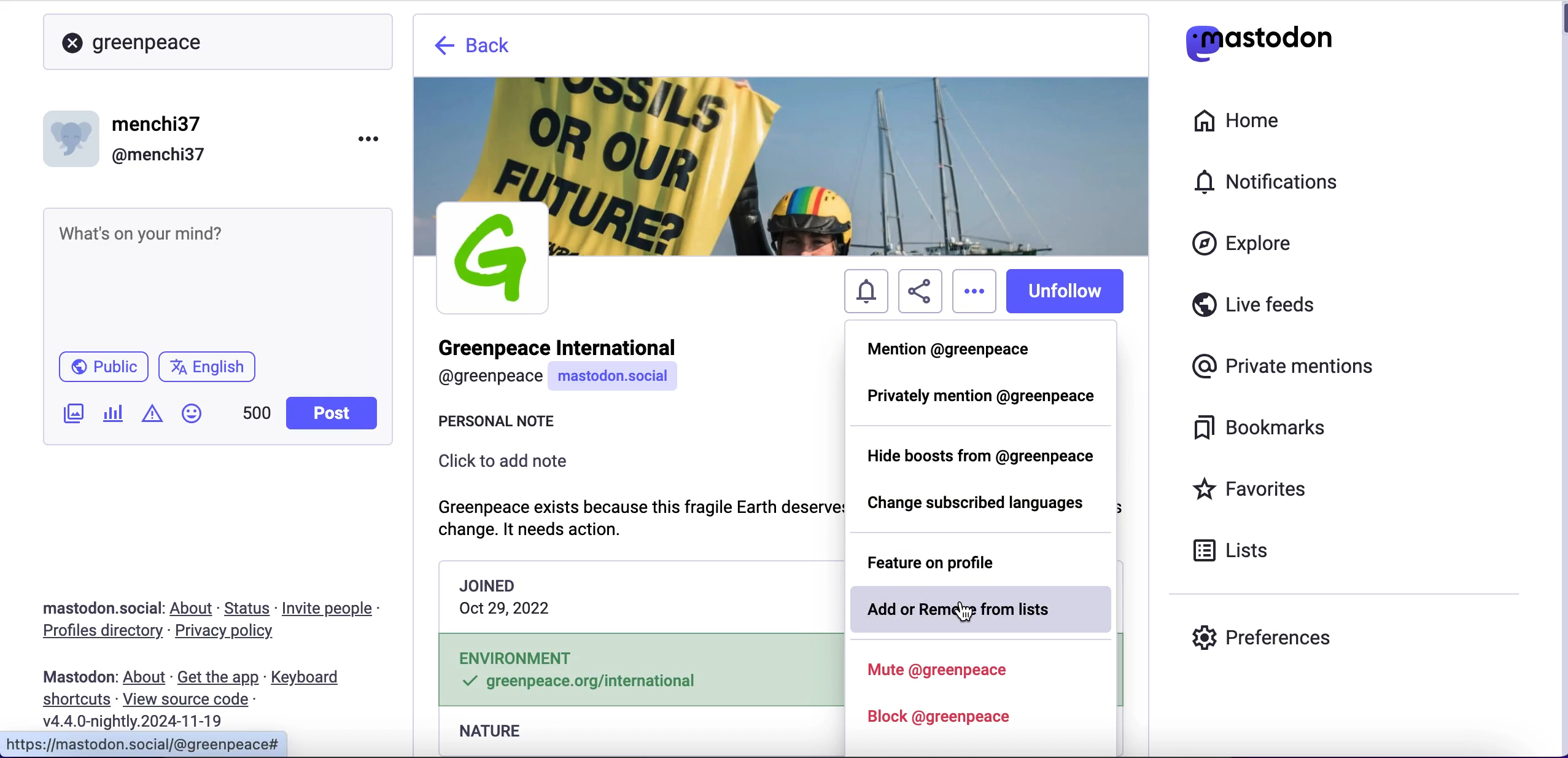 This screenshot has height=758, width=1568. What do you see at coordinates (194, 608) in the screenshot?
I see `about` at bounding box center [194, 608].